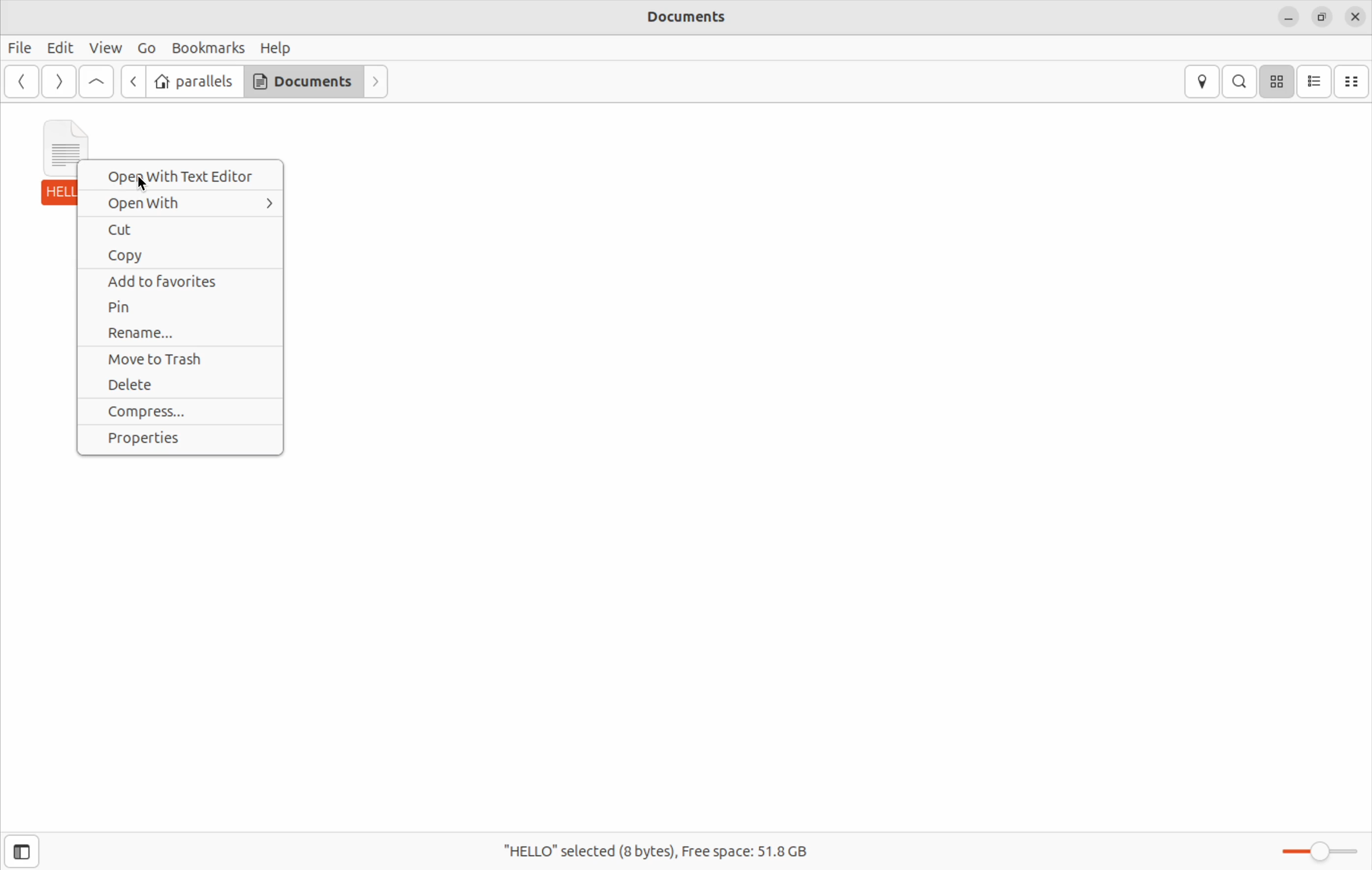 The image size is (1372, 870). What do you see at coordinates (182, 176) in the screenshot?
I see `Open With Text Editor` at bounding box center [182, 176].